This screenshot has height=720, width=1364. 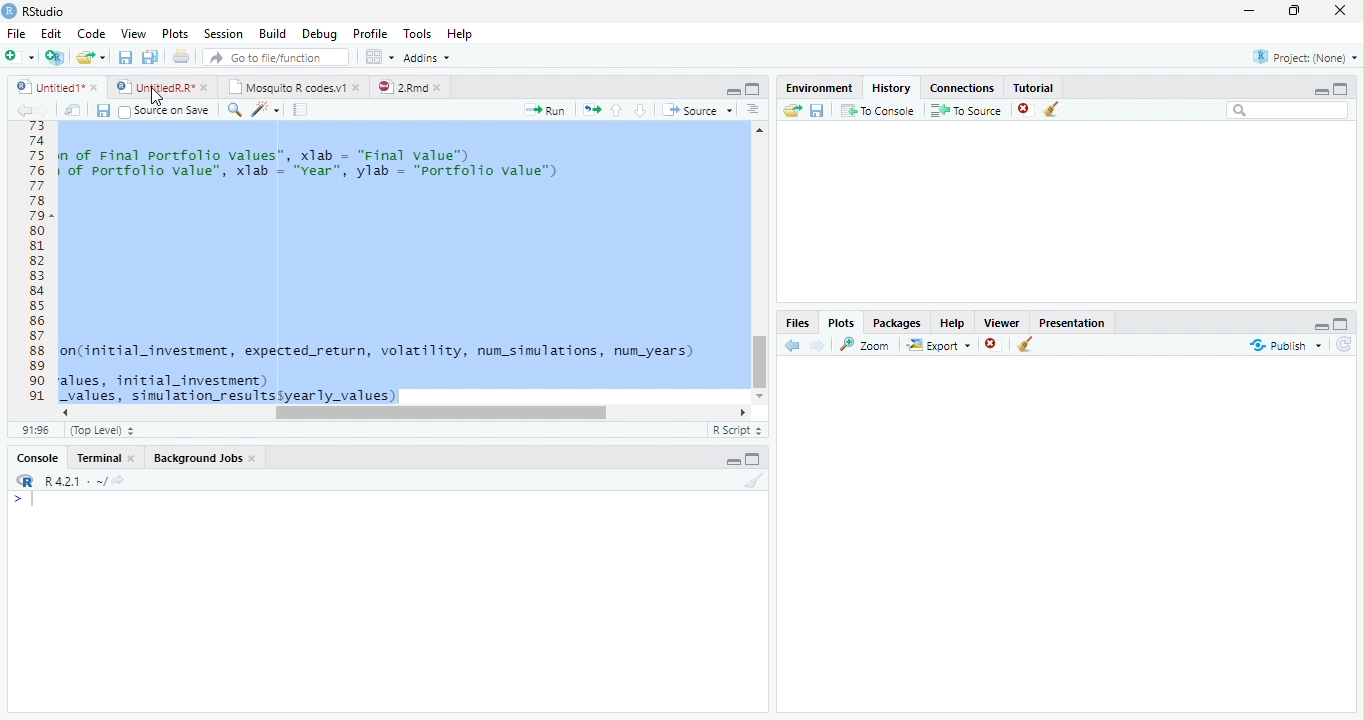 I want to click on Export, so click(x=937, y=345).